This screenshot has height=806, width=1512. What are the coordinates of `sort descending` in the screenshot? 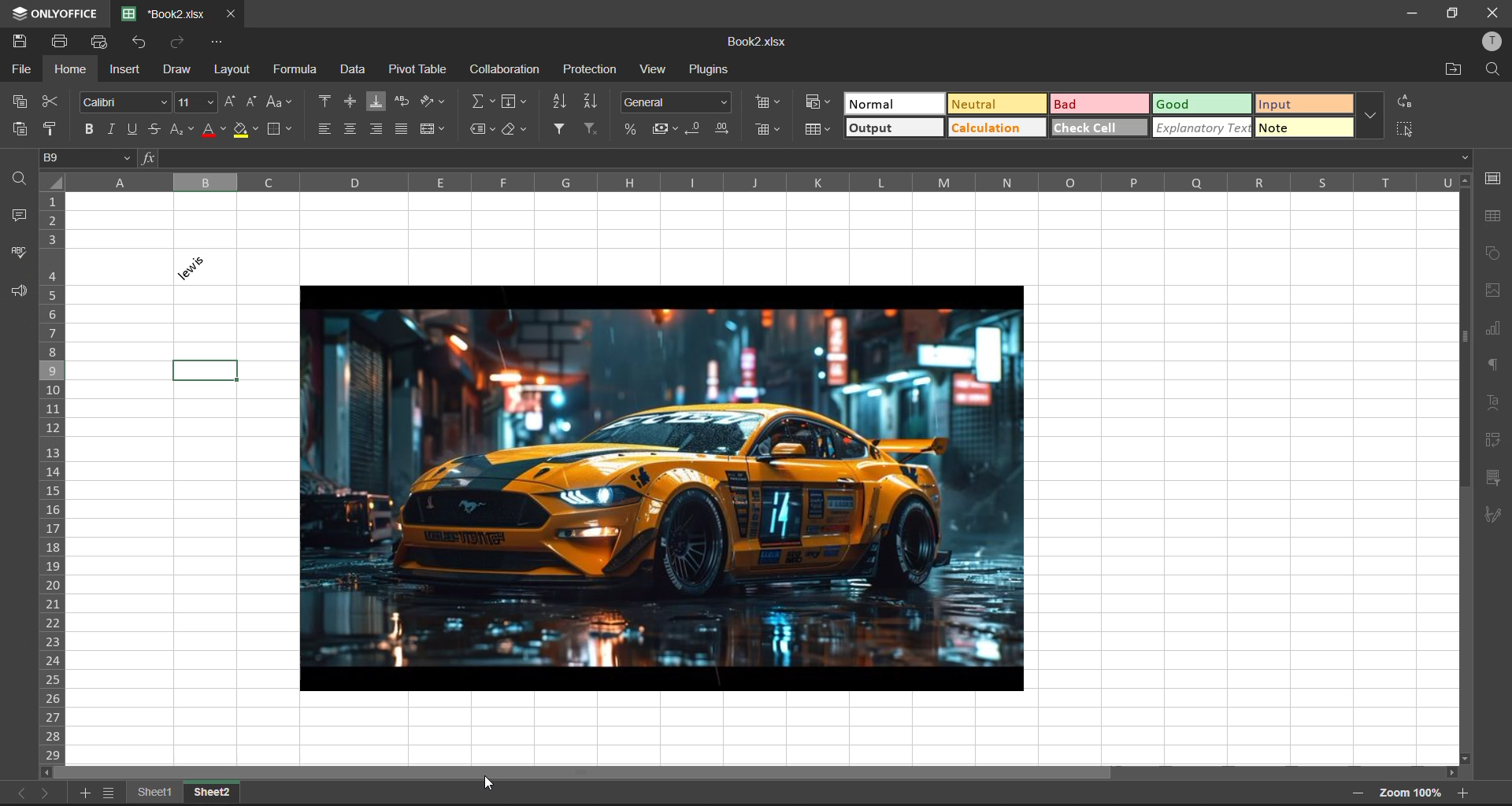 It's located at (590, 102).